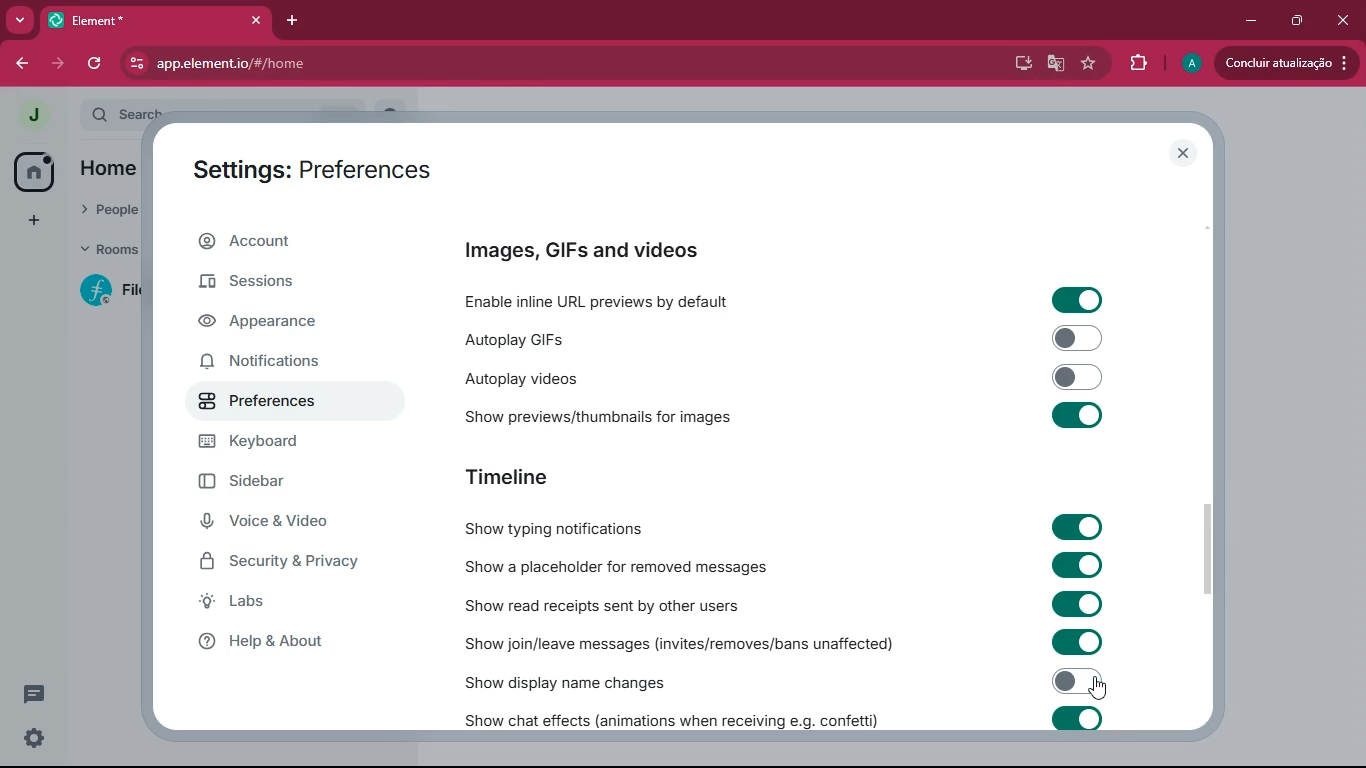 This screenshot has width=1366, height=768. Describe the element at coordinates (608, 415) in the screenshot. I see `show previews/thumbnails for images` at that location.